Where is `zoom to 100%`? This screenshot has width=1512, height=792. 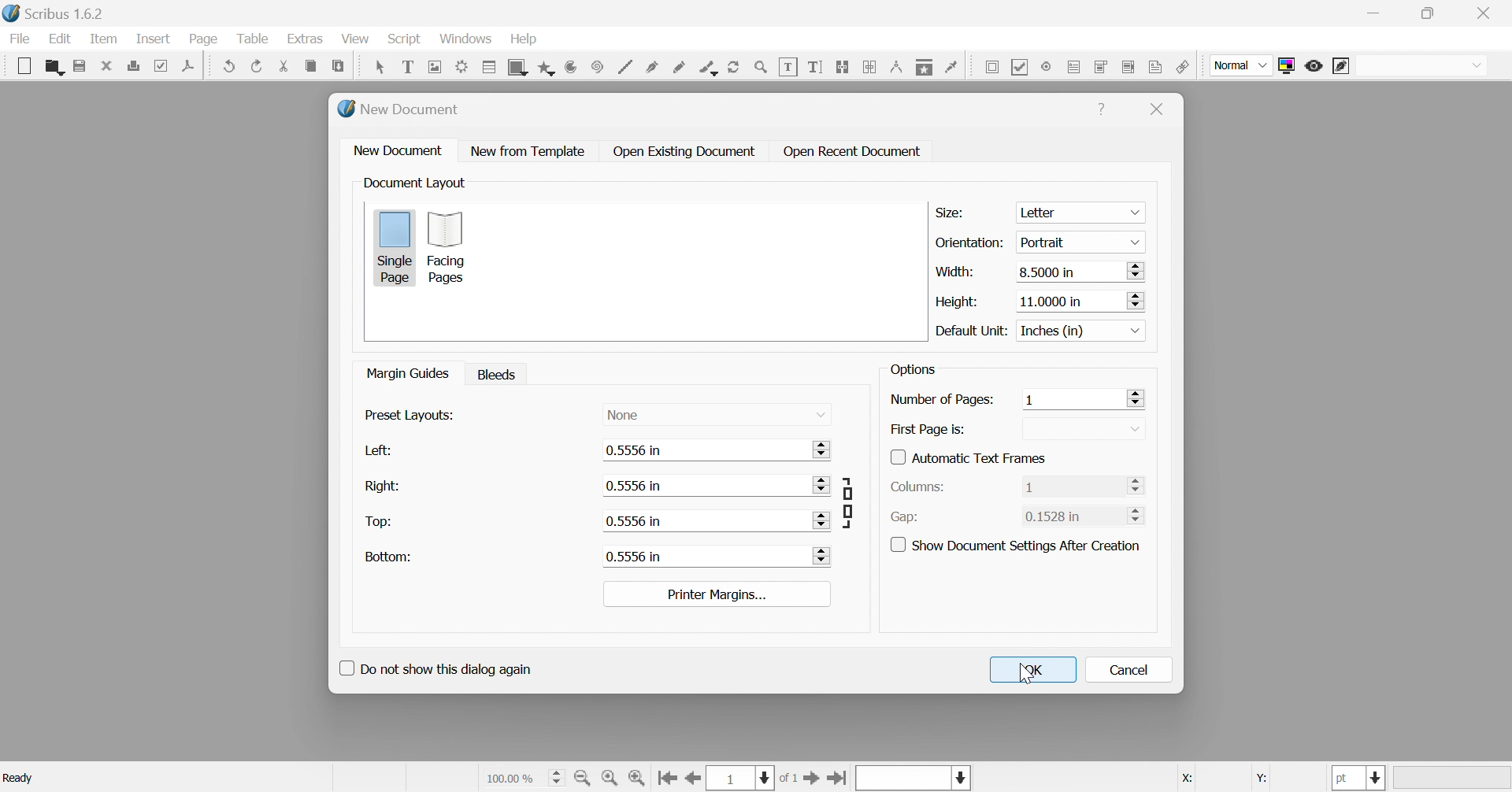
zoom to 100% is located at coordinates (610, 777).